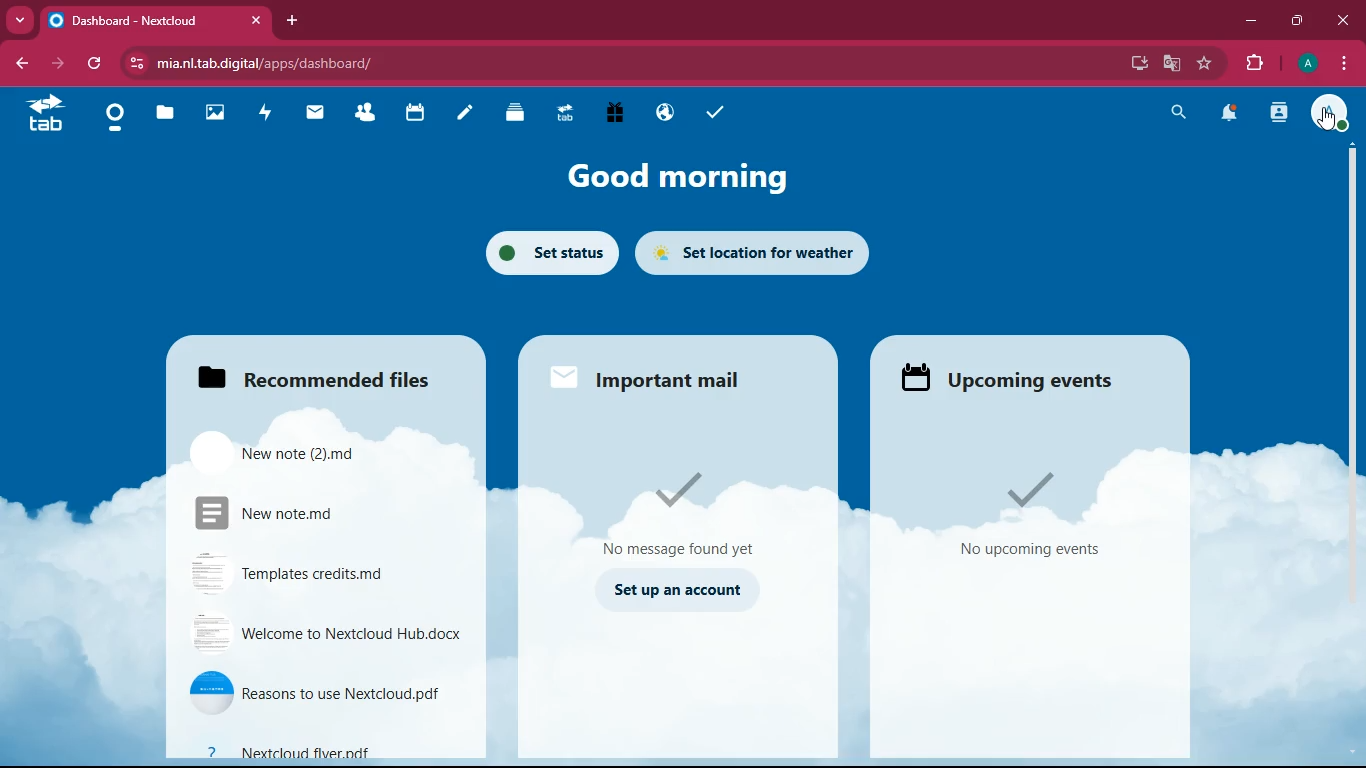  What do you see at coordinates (757, 252) in the screenshot?
I see `set location` at bounding box center [757, 252].